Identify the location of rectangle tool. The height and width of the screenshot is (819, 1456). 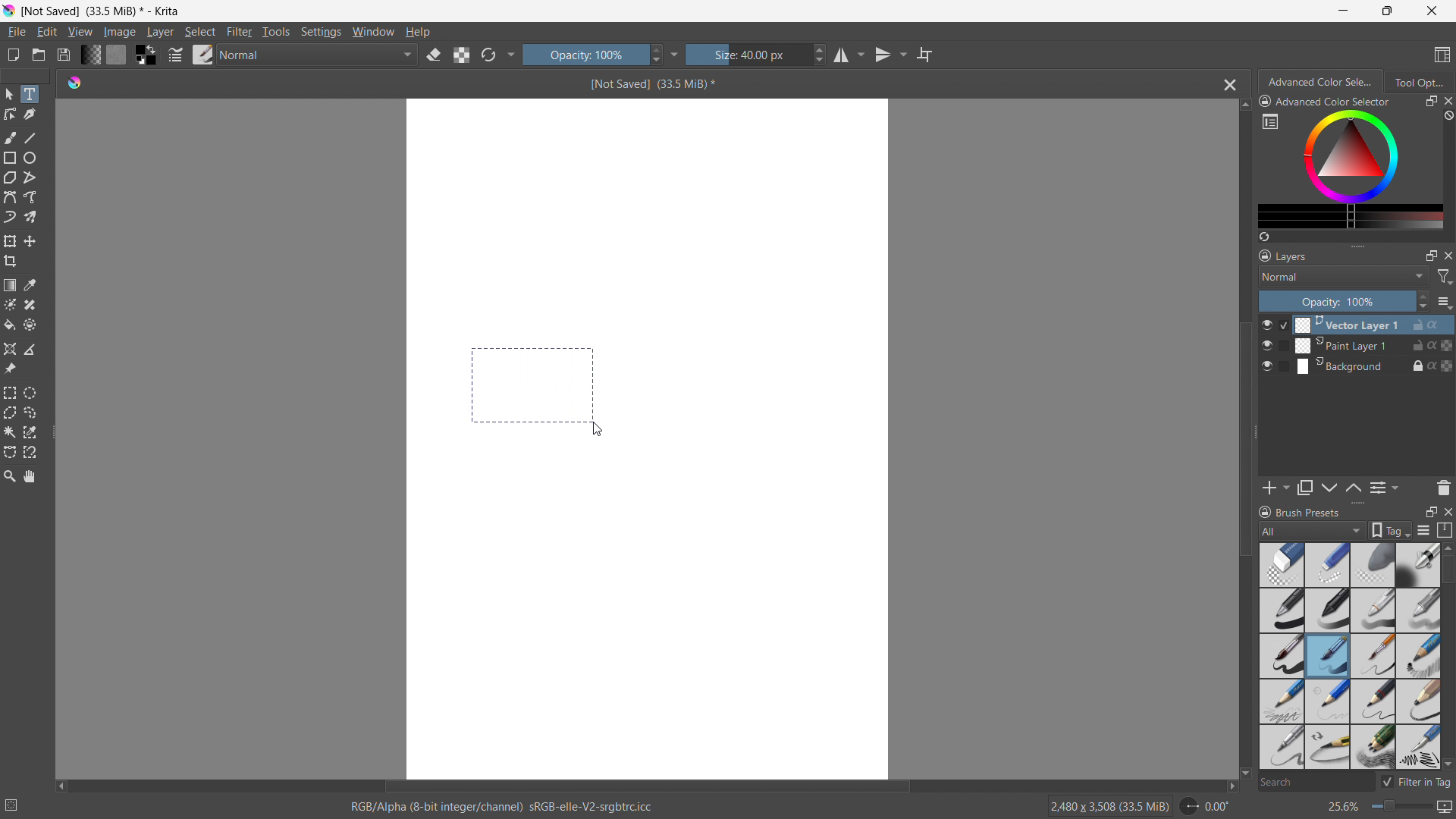
(11, 158).